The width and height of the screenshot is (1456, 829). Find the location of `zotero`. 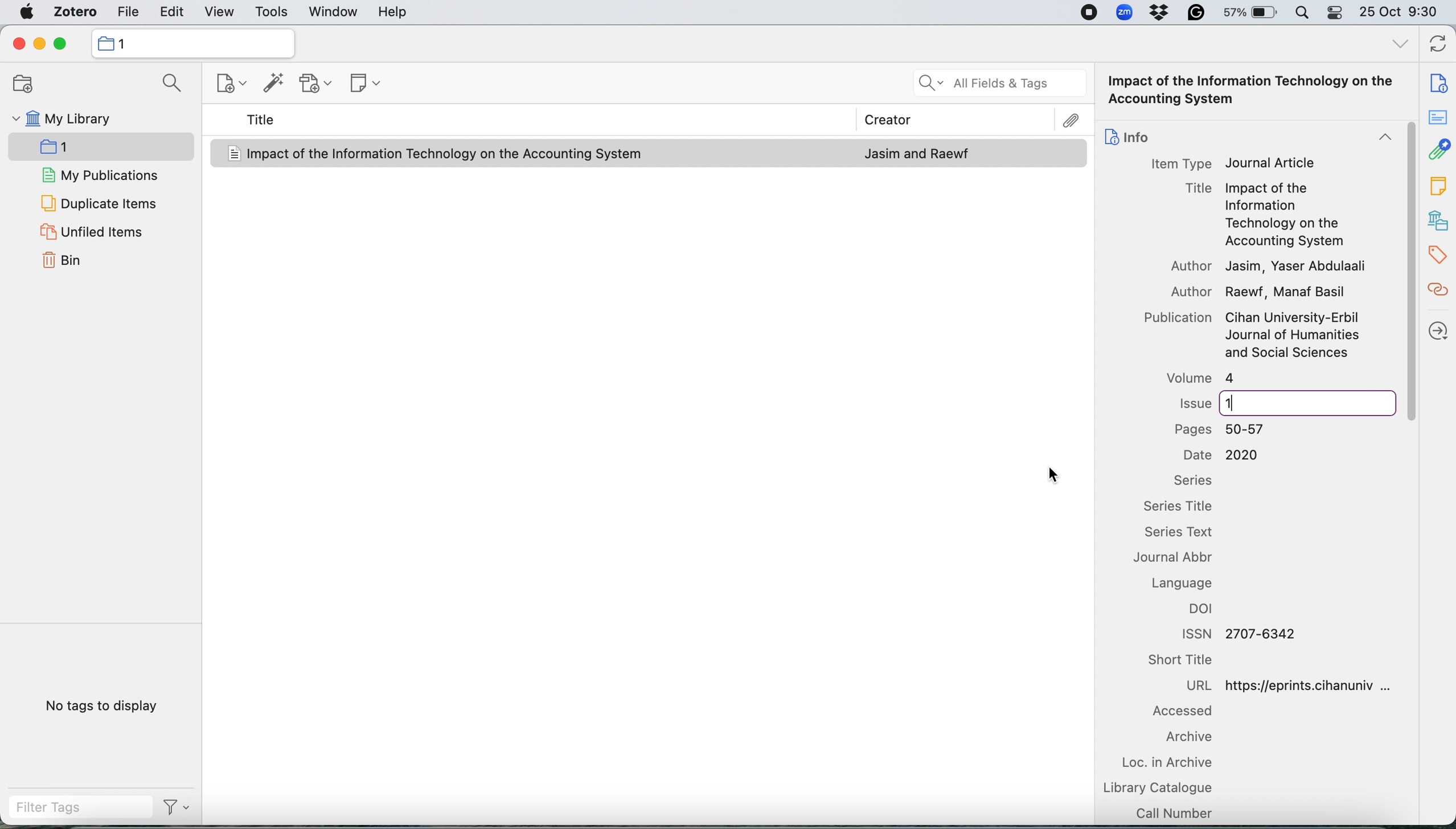

zotero is located at coordinates (75, 12).